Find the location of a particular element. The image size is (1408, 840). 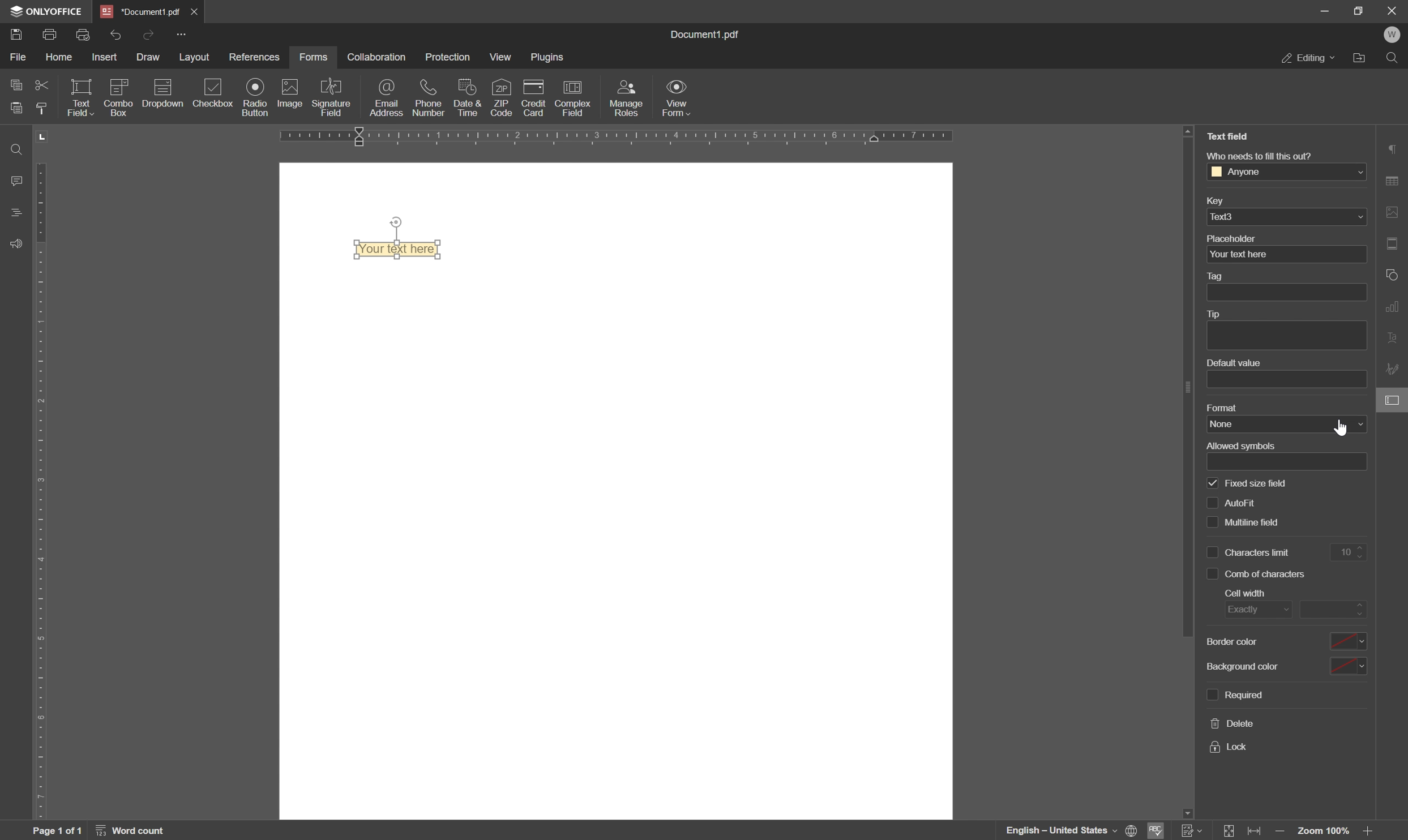

comb of characters is located at coordinates (1348, 553).